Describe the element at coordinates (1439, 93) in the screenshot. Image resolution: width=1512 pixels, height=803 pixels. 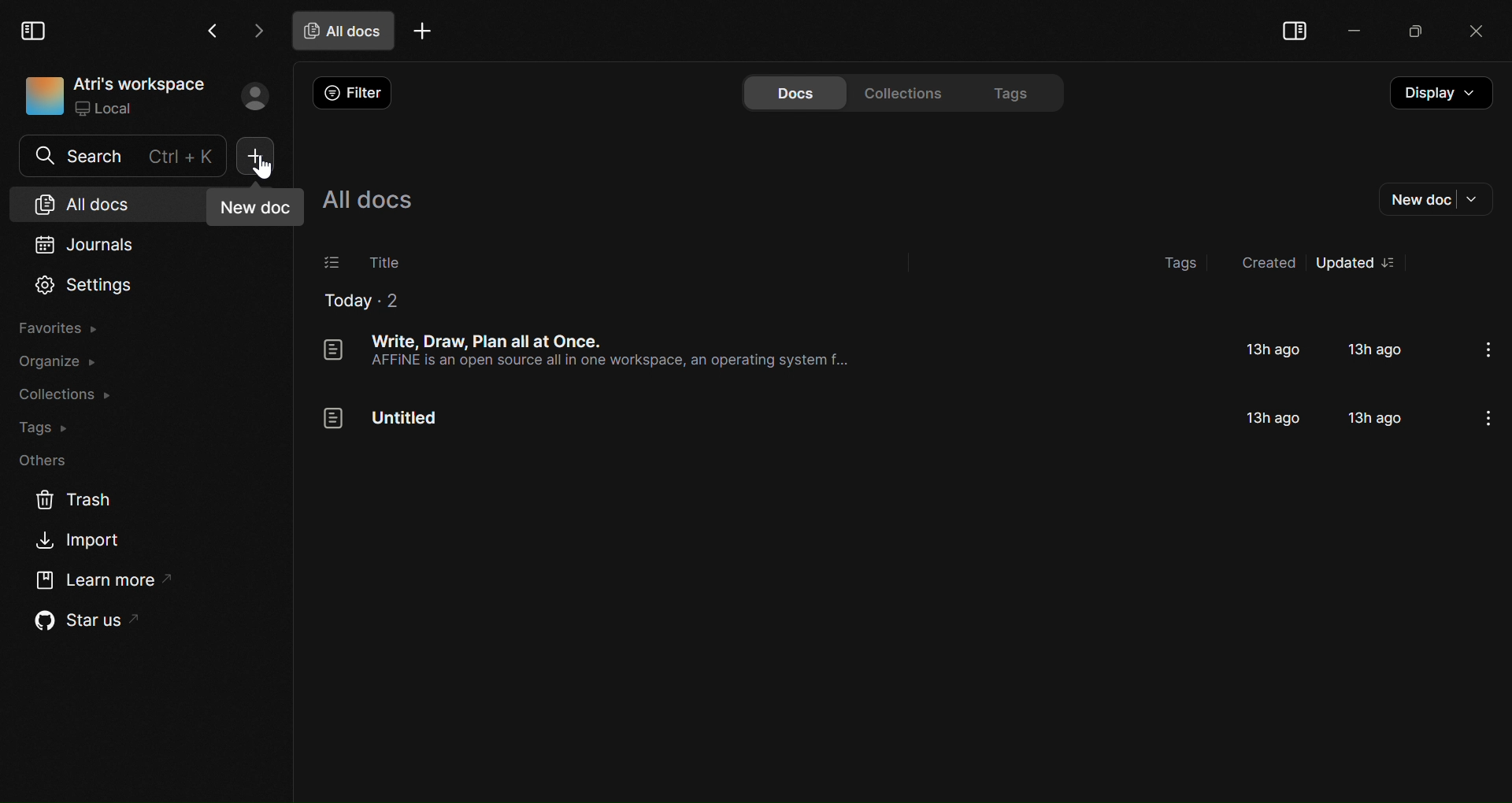
I see `Display` at that location.